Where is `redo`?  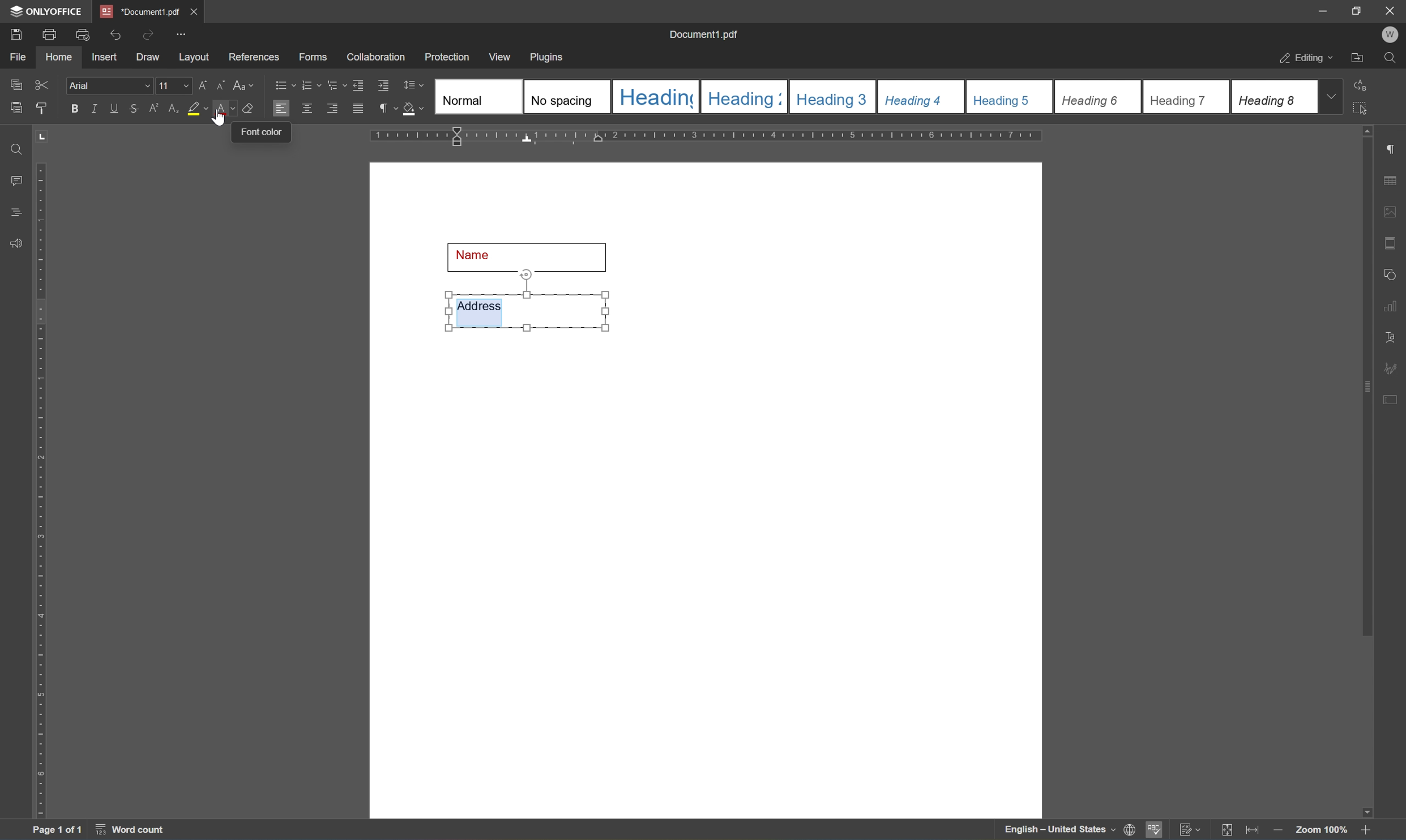
redo is located at coordinates (145, 34).